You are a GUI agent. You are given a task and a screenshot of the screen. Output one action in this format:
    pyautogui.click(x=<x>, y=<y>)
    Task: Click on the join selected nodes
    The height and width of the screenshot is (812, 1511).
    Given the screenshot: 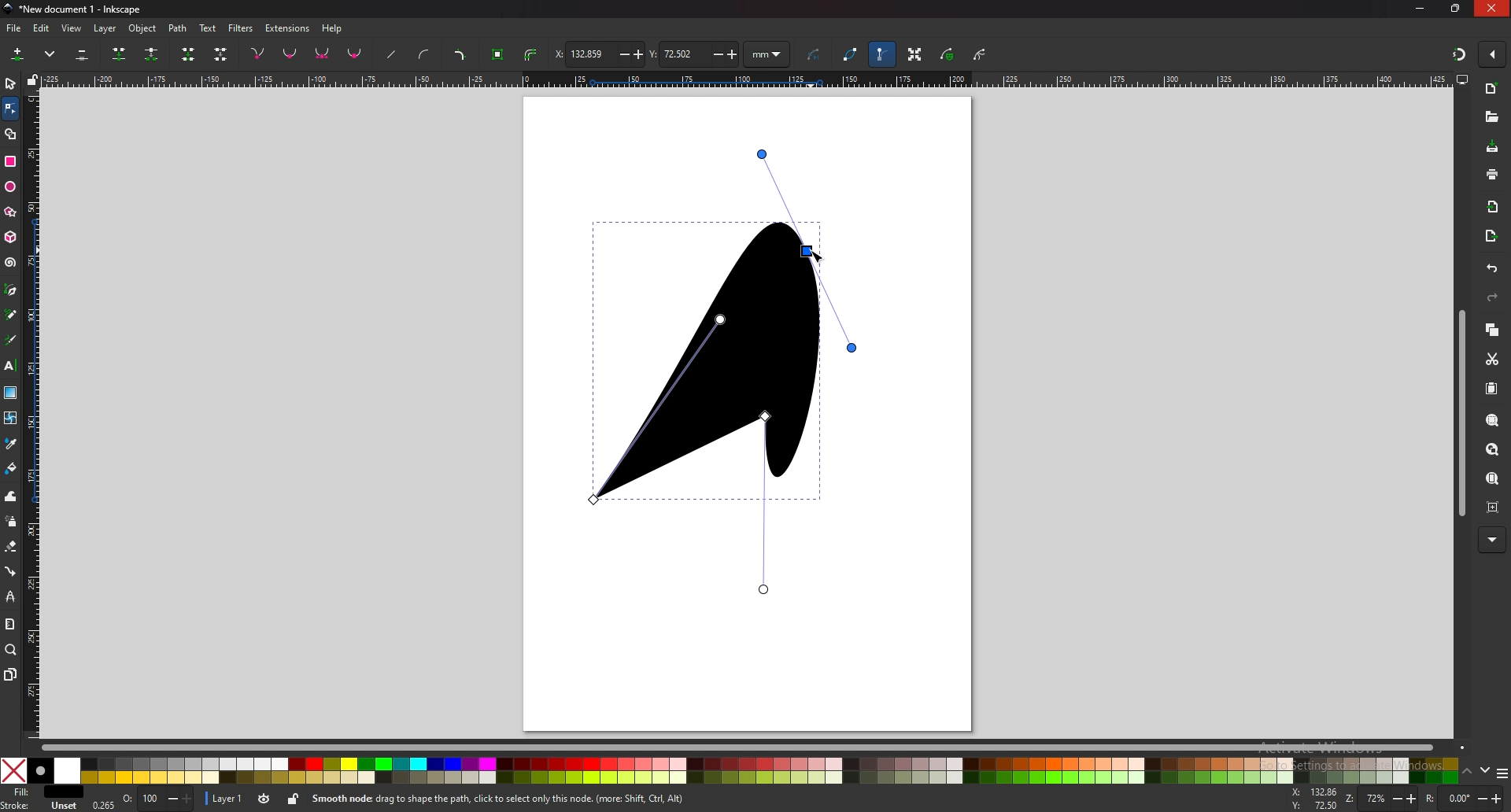 What is the action you would take?
    pyautogui.click(x=120, y=54)
    